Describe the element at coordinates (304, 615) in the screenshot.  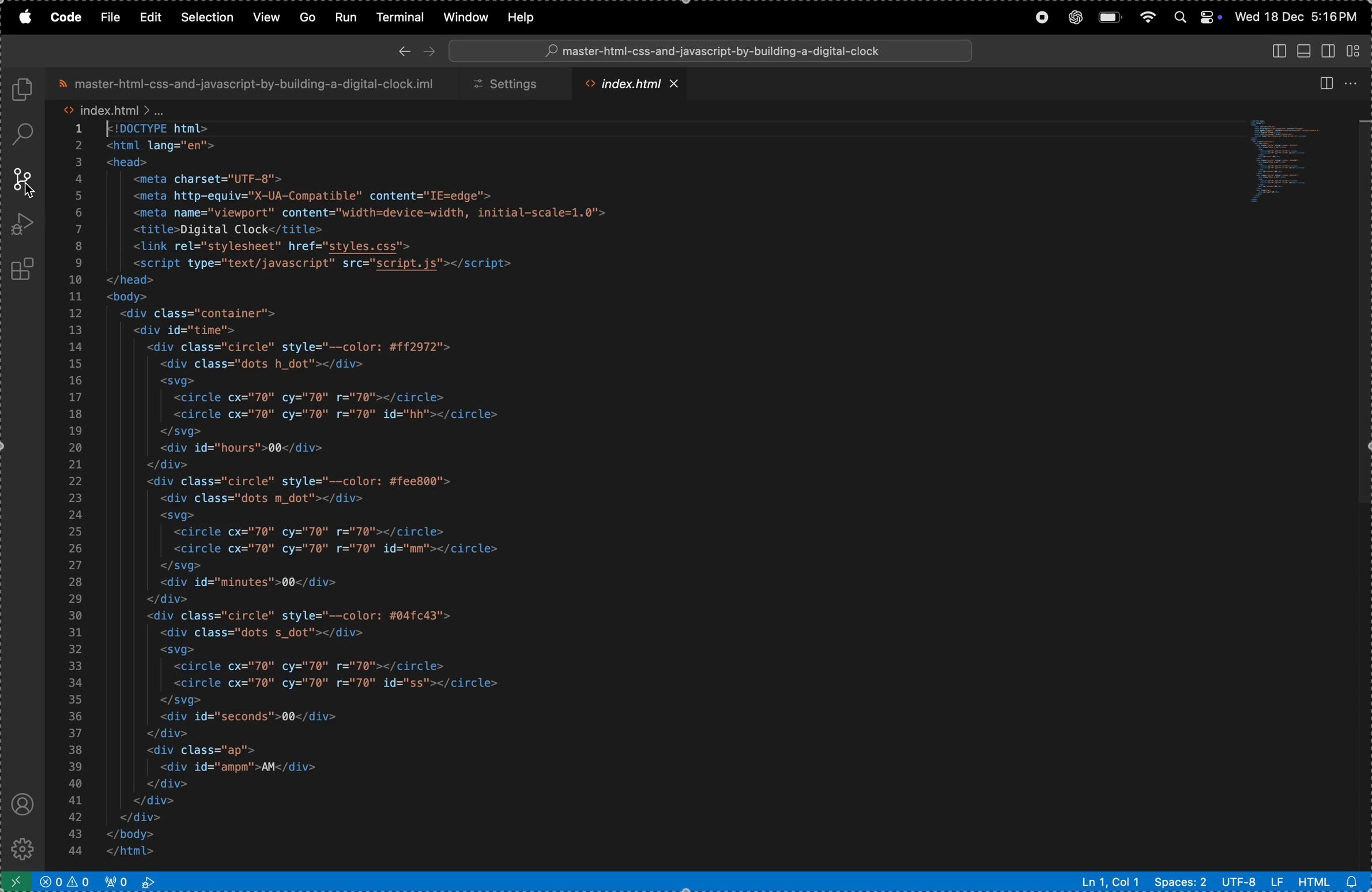
I see `<div class="circle" style="--color: #04fc43">` at that location.